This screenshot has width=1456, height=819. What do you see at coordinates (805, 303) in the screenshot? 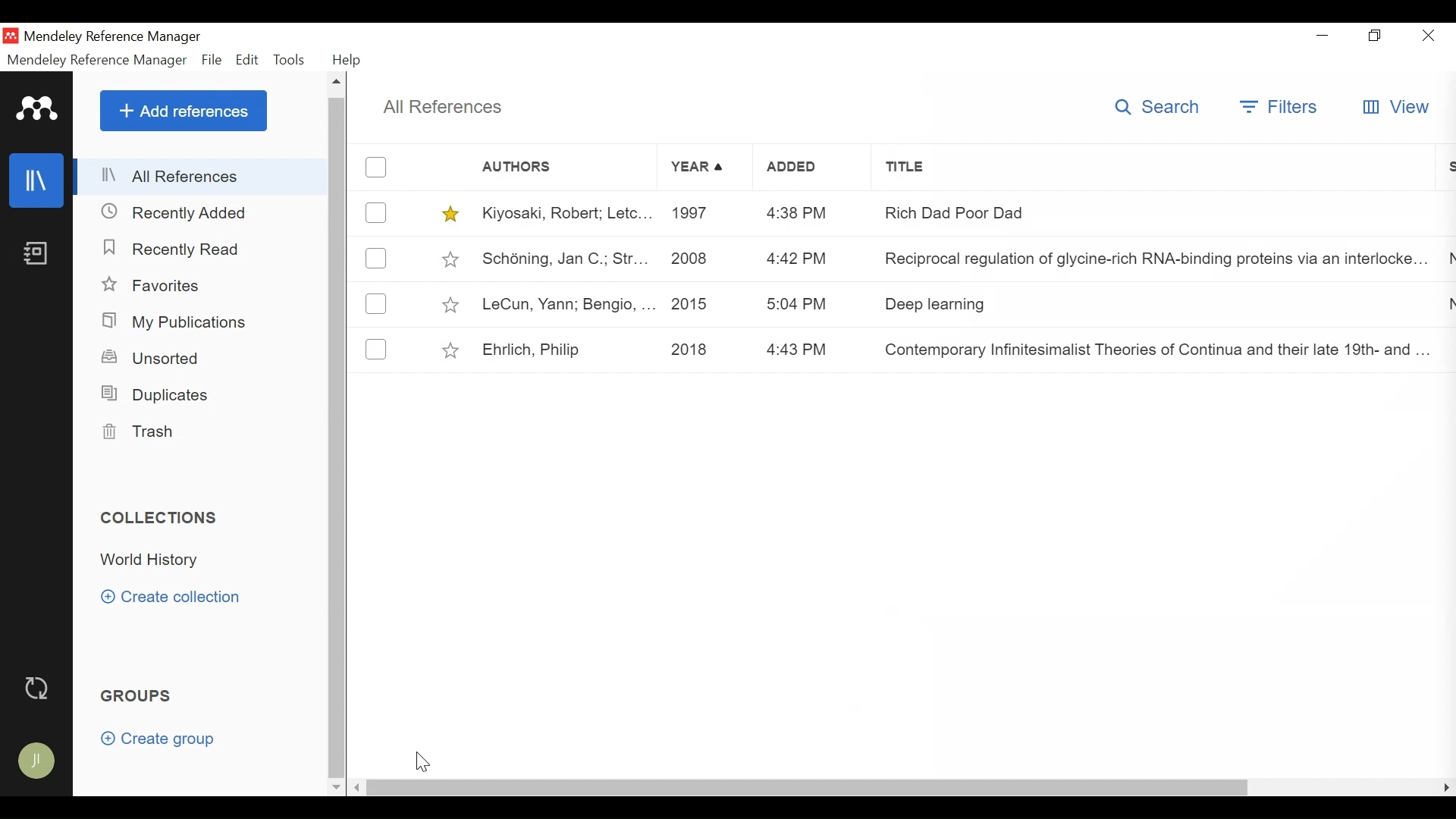
I see `5:04 PM` at bounding box center [805, 303].